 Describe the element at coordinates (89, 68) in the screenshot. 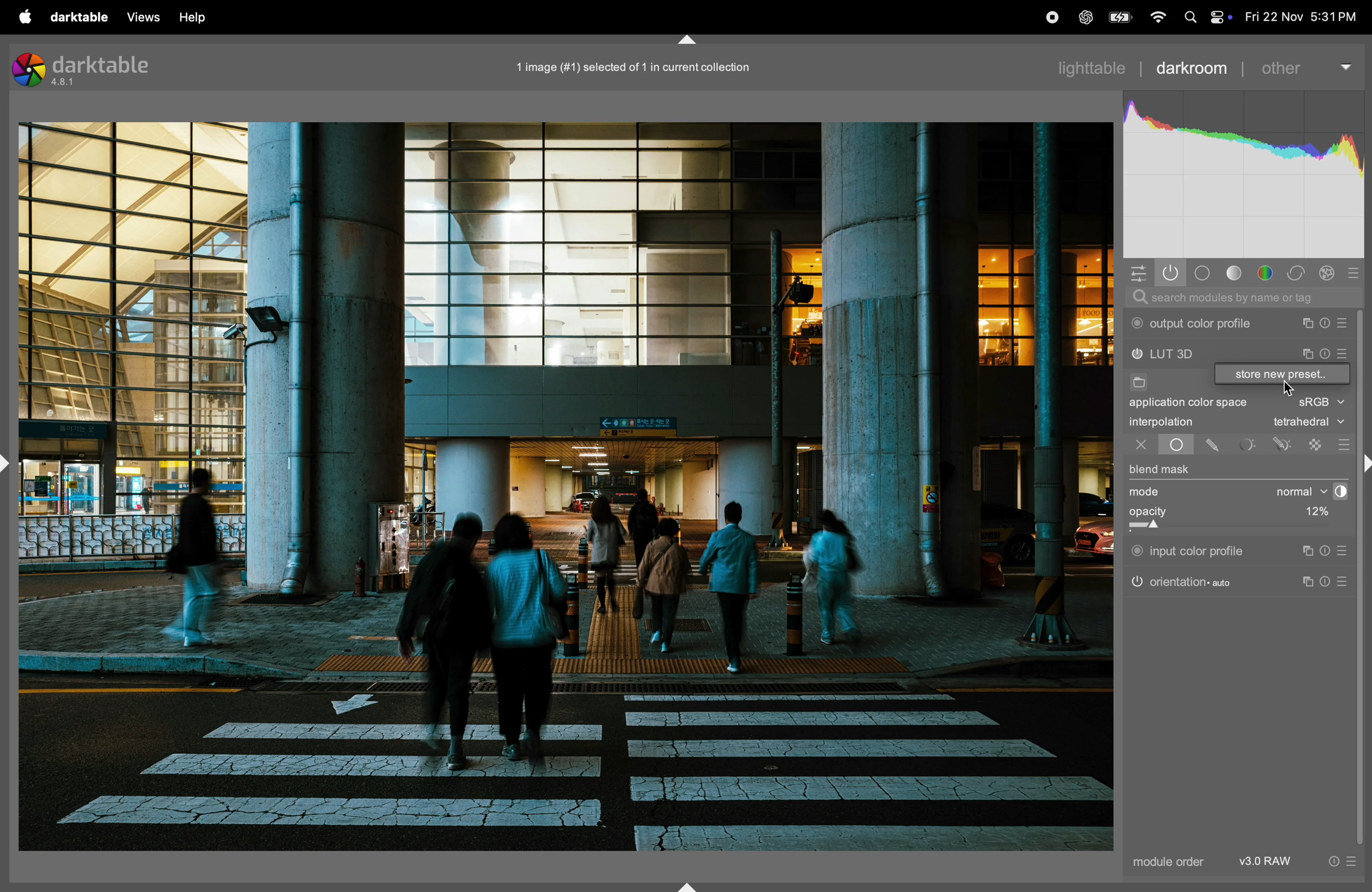

I see `darktable version` at that location.